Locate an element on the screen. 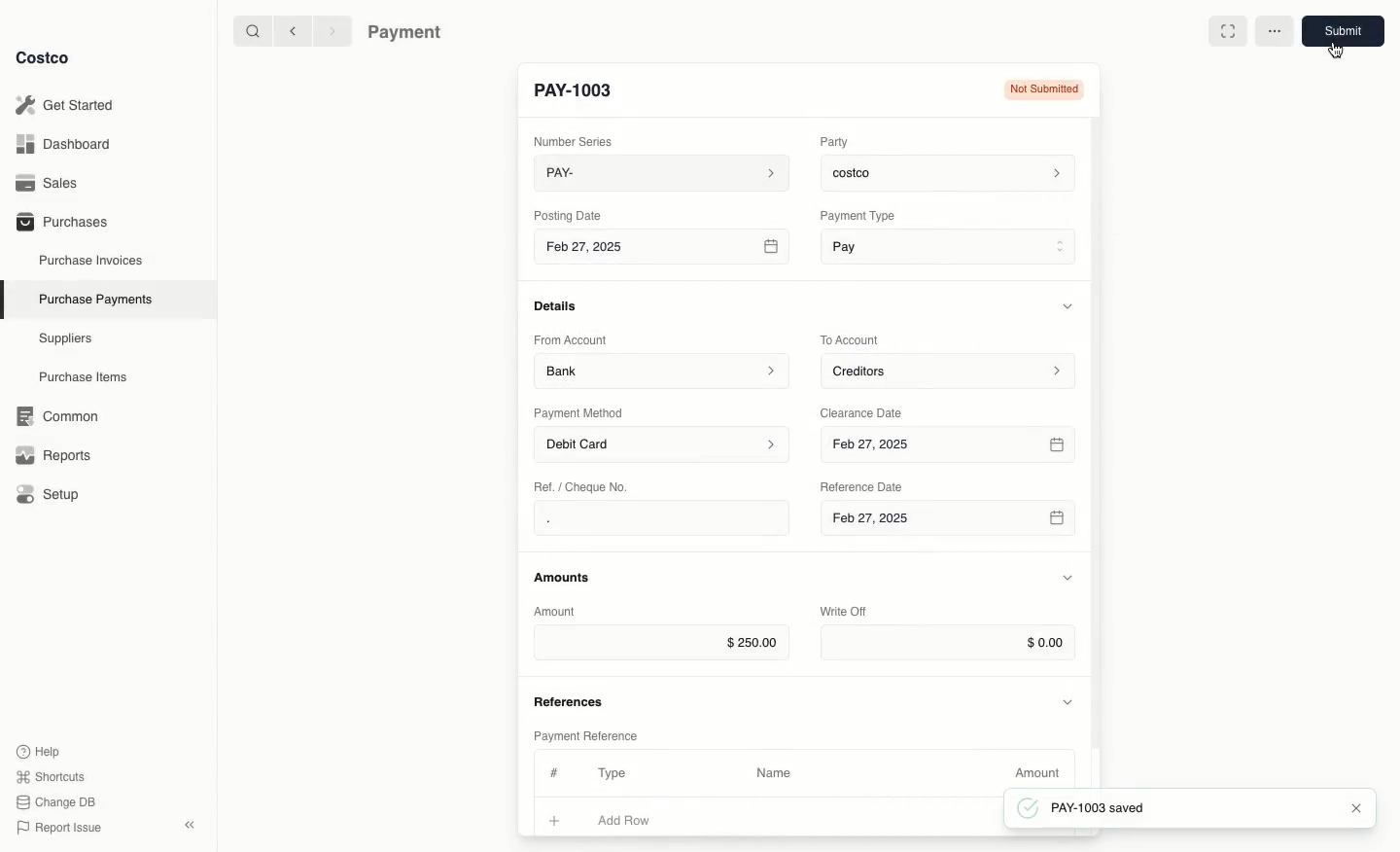 The width and height of the screenshot is (1400, 852). Purchase Items is located at coordinates (86, 377).